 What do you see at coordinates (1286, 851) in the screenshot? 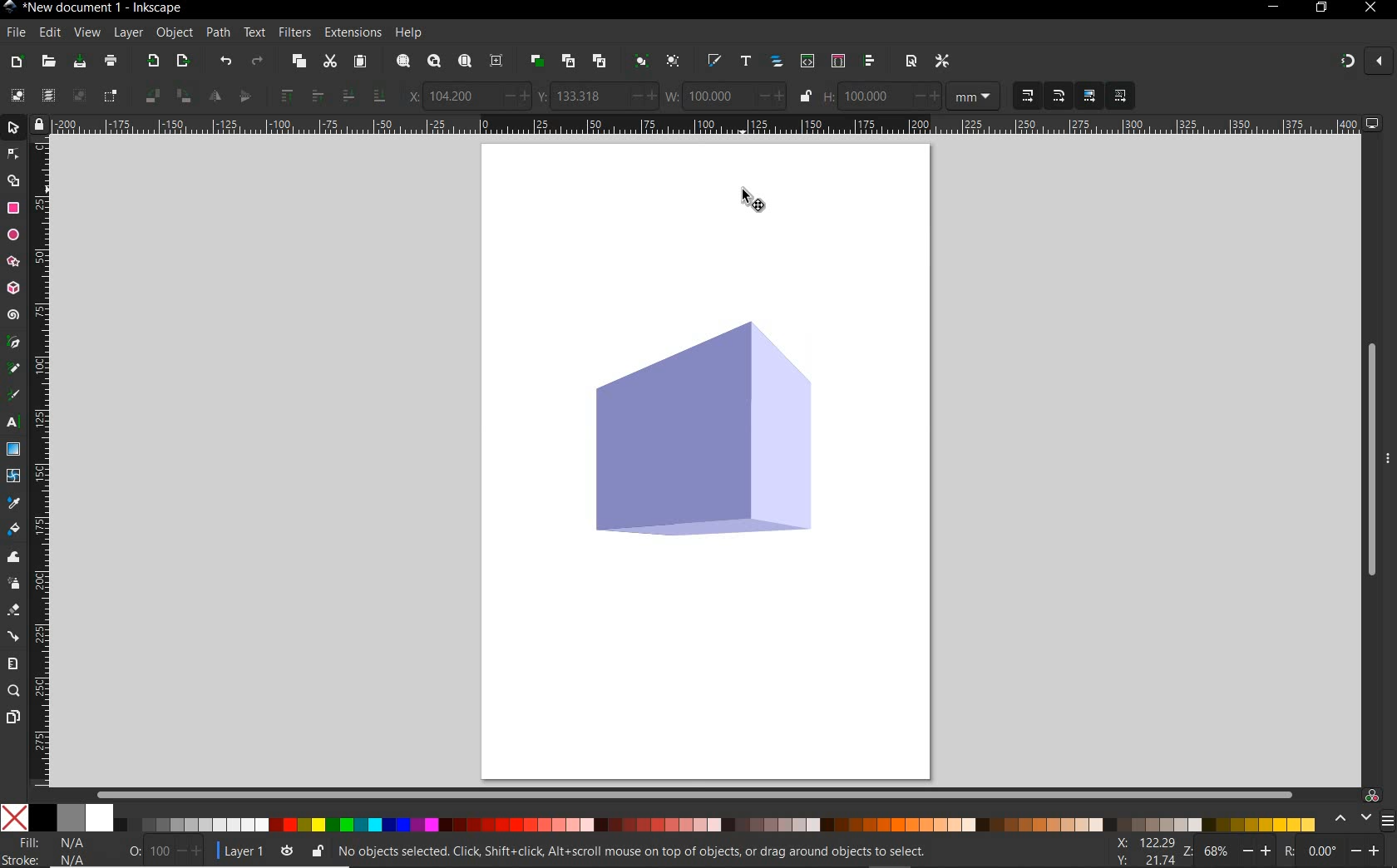
I see `rotation` at bounding box center [1286, 851].